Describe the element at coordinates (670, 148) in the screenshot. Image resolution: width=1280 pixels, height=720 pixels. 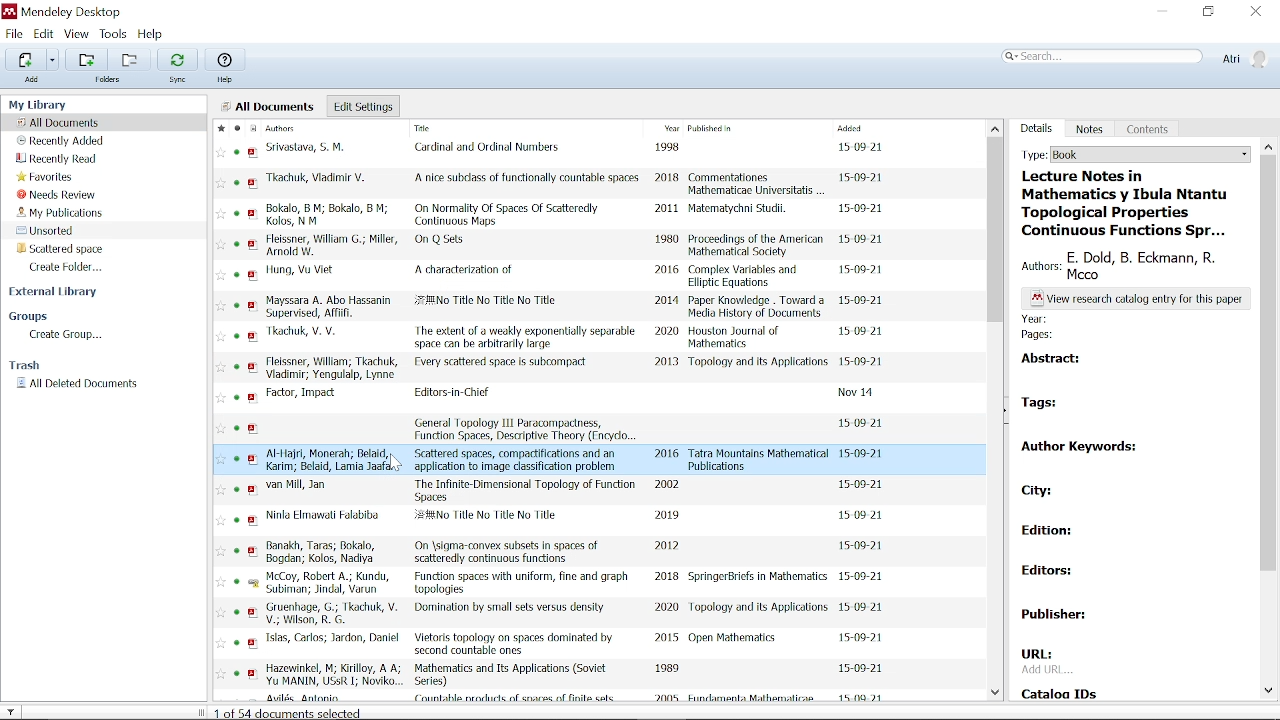
I see `1998` at that location.